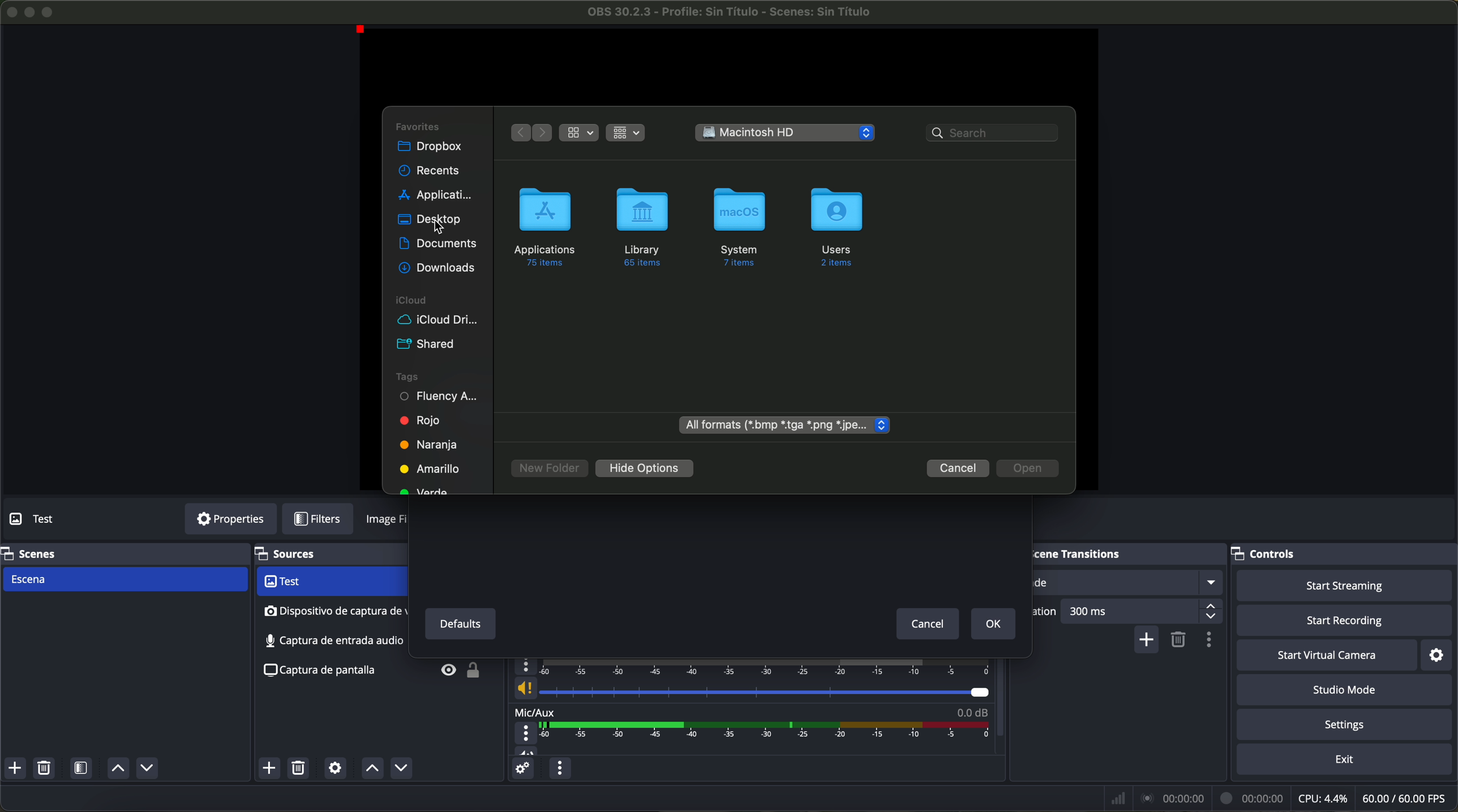  I want to click on unlock/visible, so click(456, 672).